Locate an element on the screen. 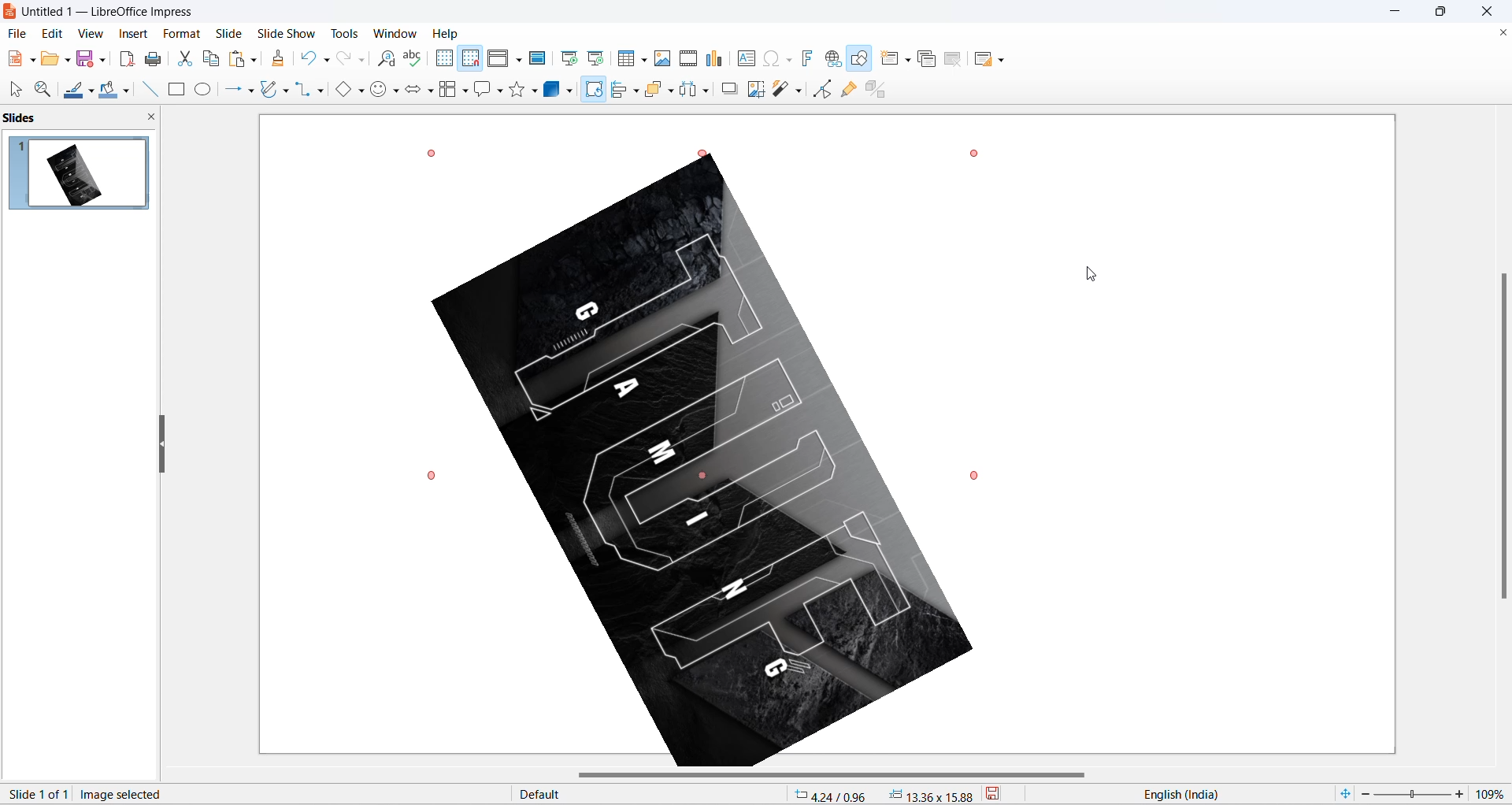  copy is located at coordinates (212, 58).